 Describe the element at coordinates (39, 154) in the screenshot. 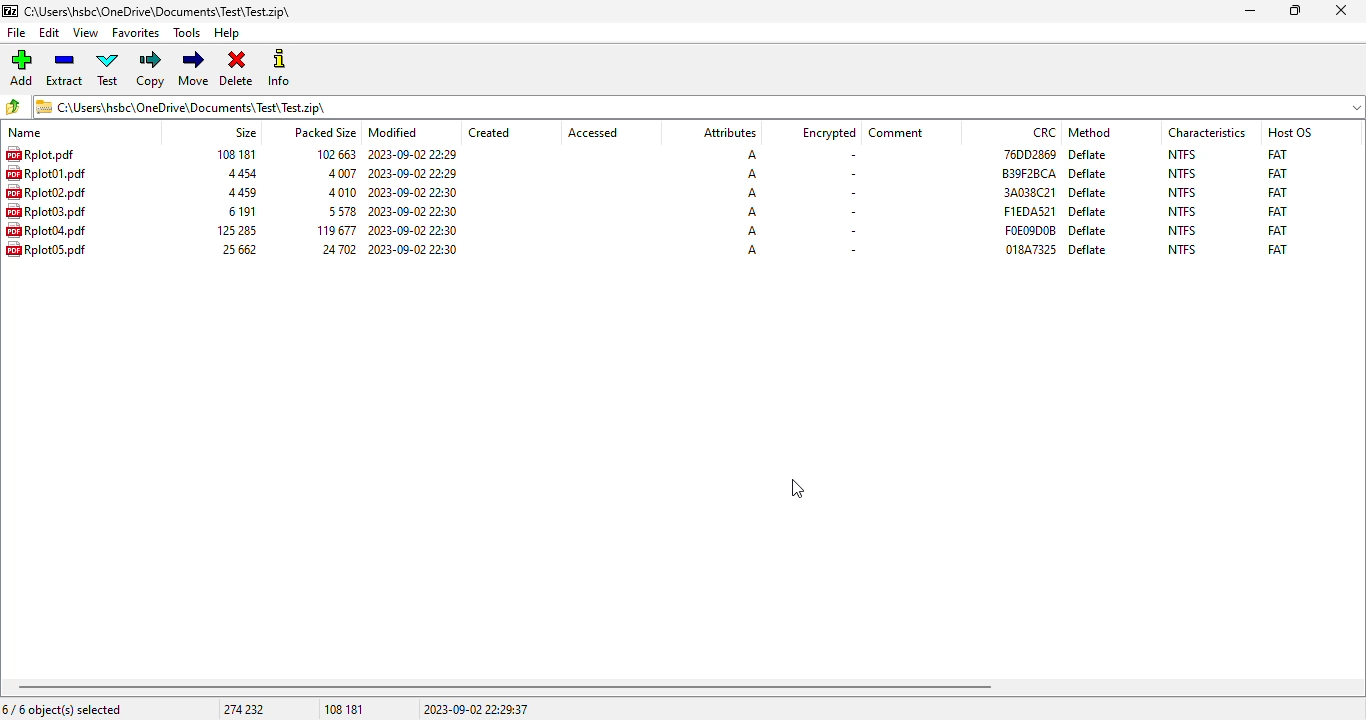

I see `file` at that location.